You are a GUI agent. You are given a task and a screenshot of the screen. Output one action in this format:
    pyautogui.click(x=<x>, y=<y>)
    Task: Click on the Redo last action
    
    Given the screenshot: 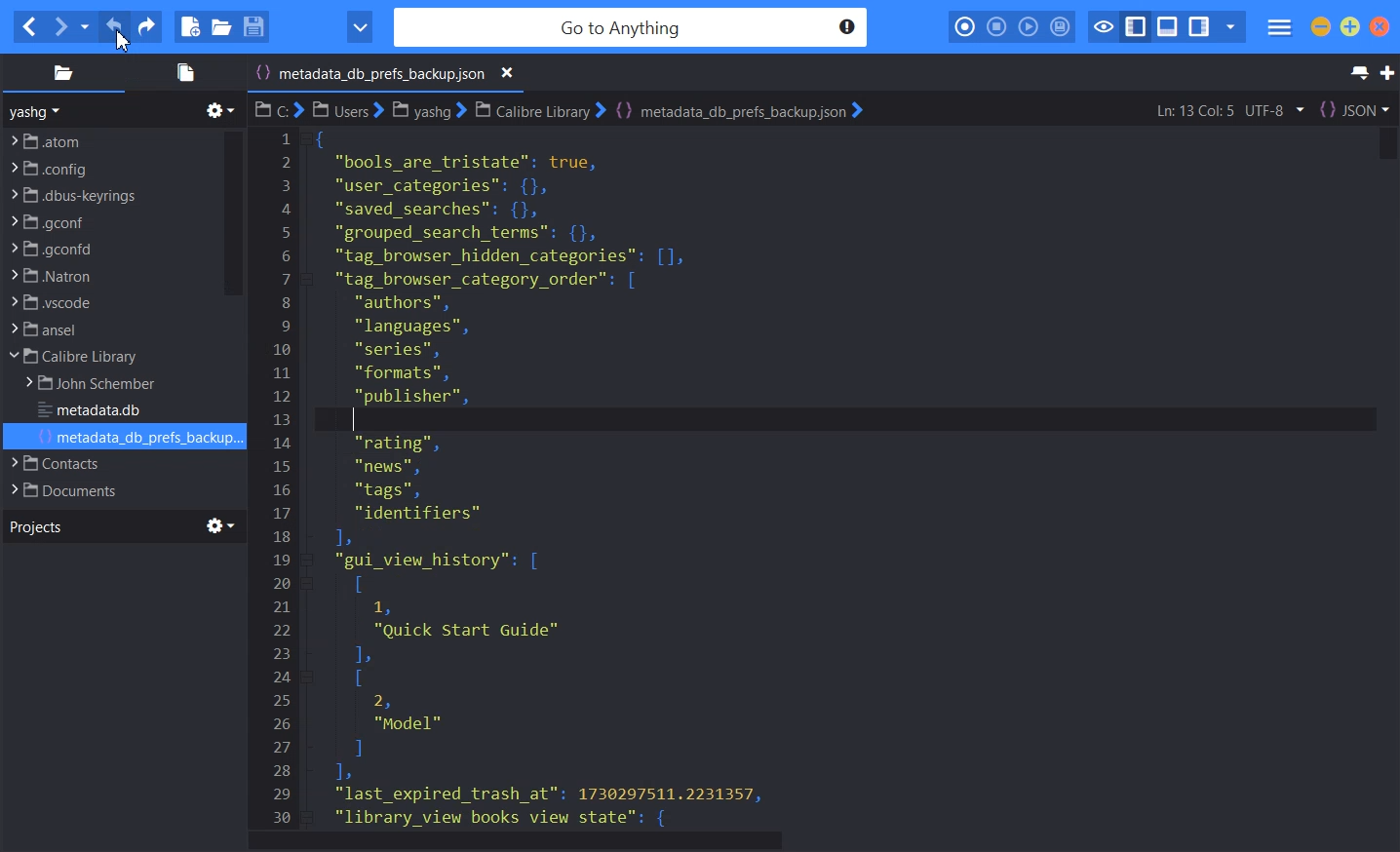 What is the action you would take?
    pyautogui.click(x=145, y=27)
    